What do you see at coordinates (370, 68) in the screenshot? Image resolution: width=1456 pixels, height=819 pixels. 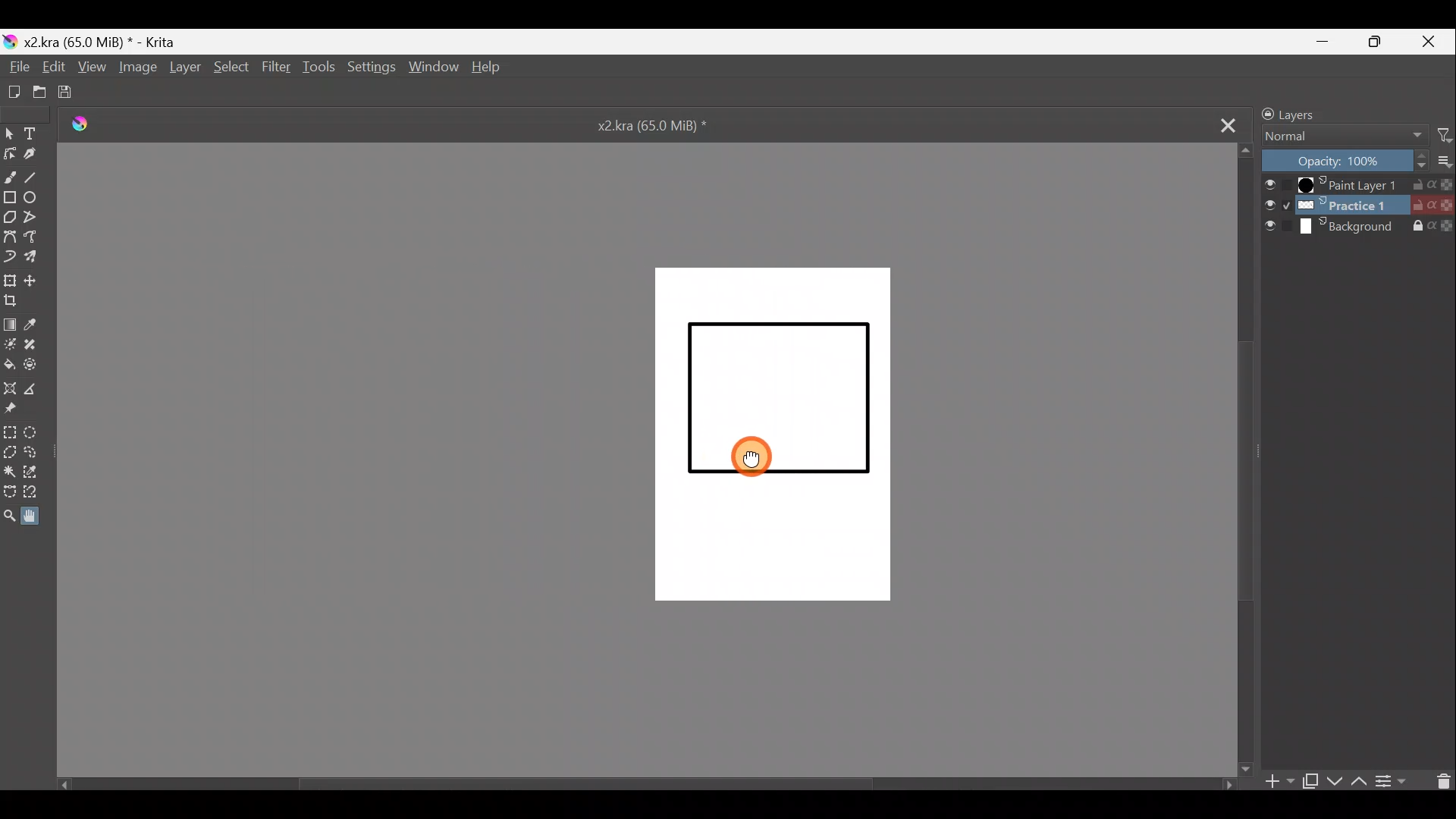 I see `Settings` at bounding box center [370, 68].